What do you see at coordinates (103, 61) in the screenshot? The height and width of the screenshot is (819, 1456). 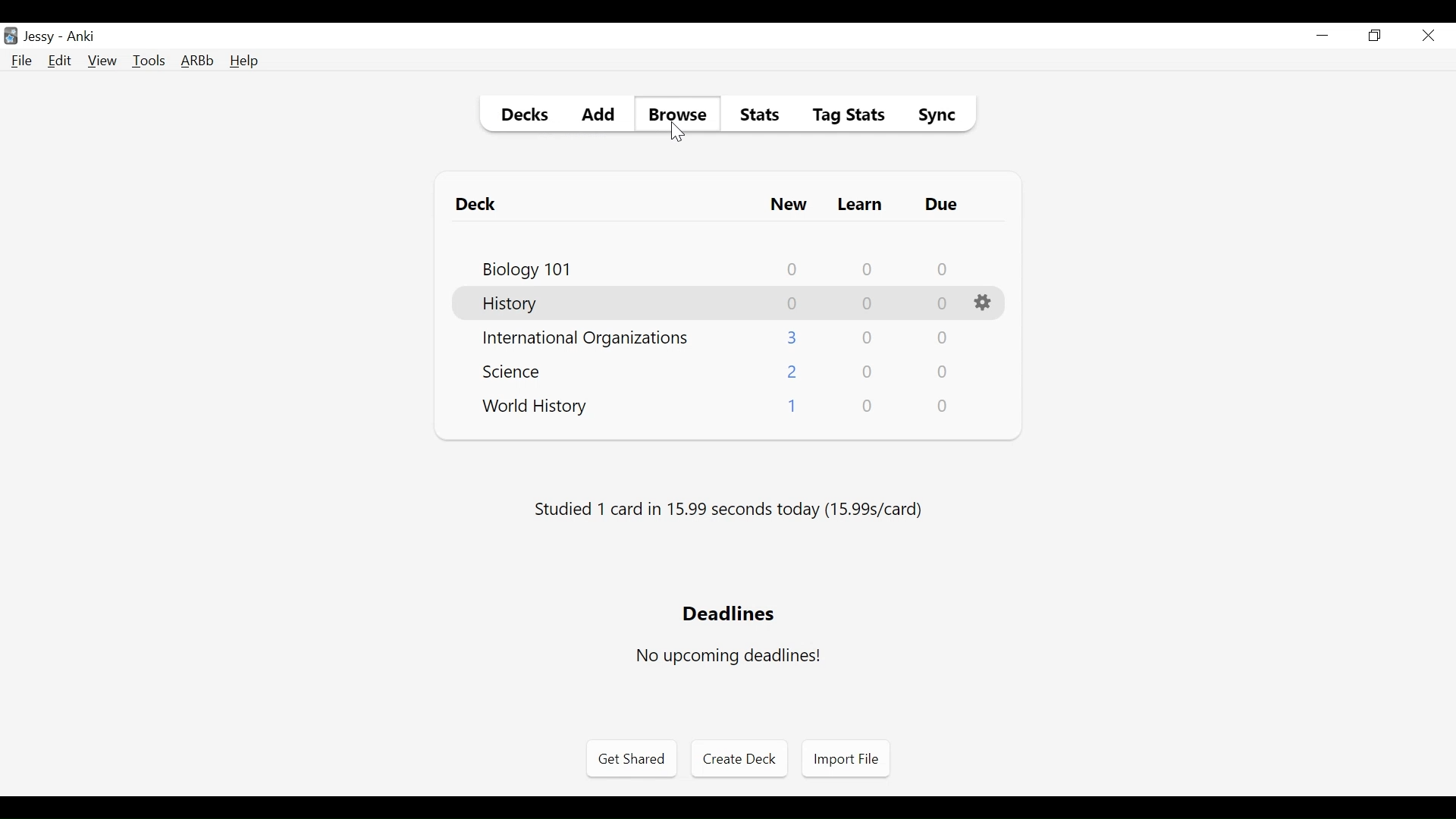 I see `View` at bounding box center [103, 61].